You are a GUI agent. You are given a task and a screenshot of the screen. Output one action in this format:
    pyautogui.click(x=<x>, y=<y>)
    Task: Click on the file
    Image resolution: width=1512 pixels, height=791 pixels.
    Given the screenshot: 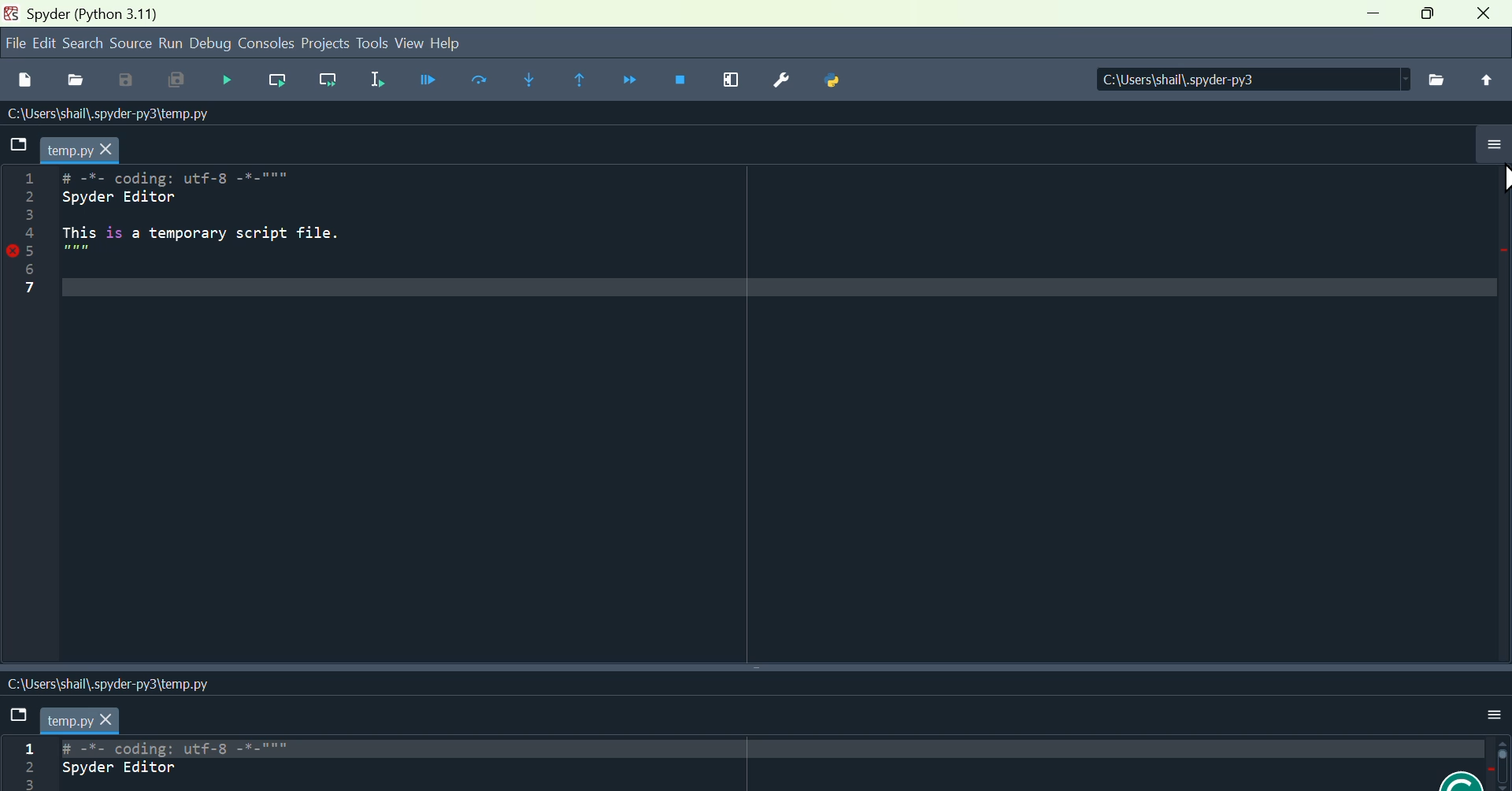 What is the action you would take?
    pyautogui.click(x=11, y=46)
    